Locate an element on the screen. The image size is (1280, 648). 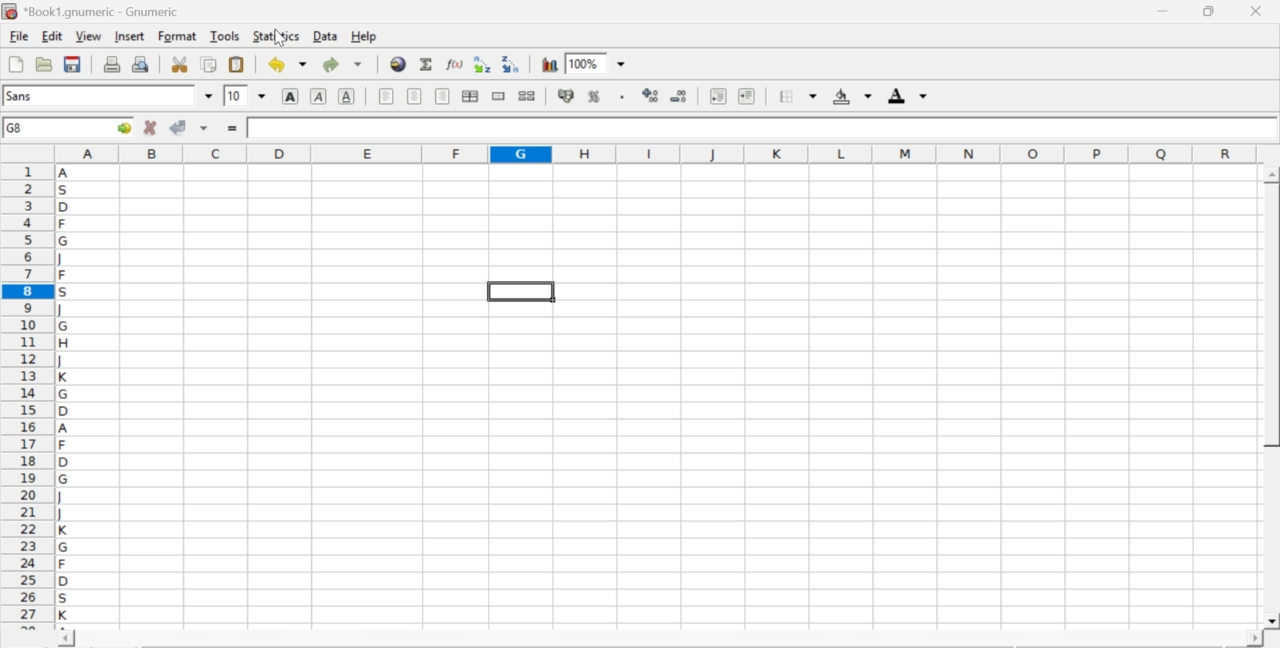
application name is located at coordinates (94, 9).